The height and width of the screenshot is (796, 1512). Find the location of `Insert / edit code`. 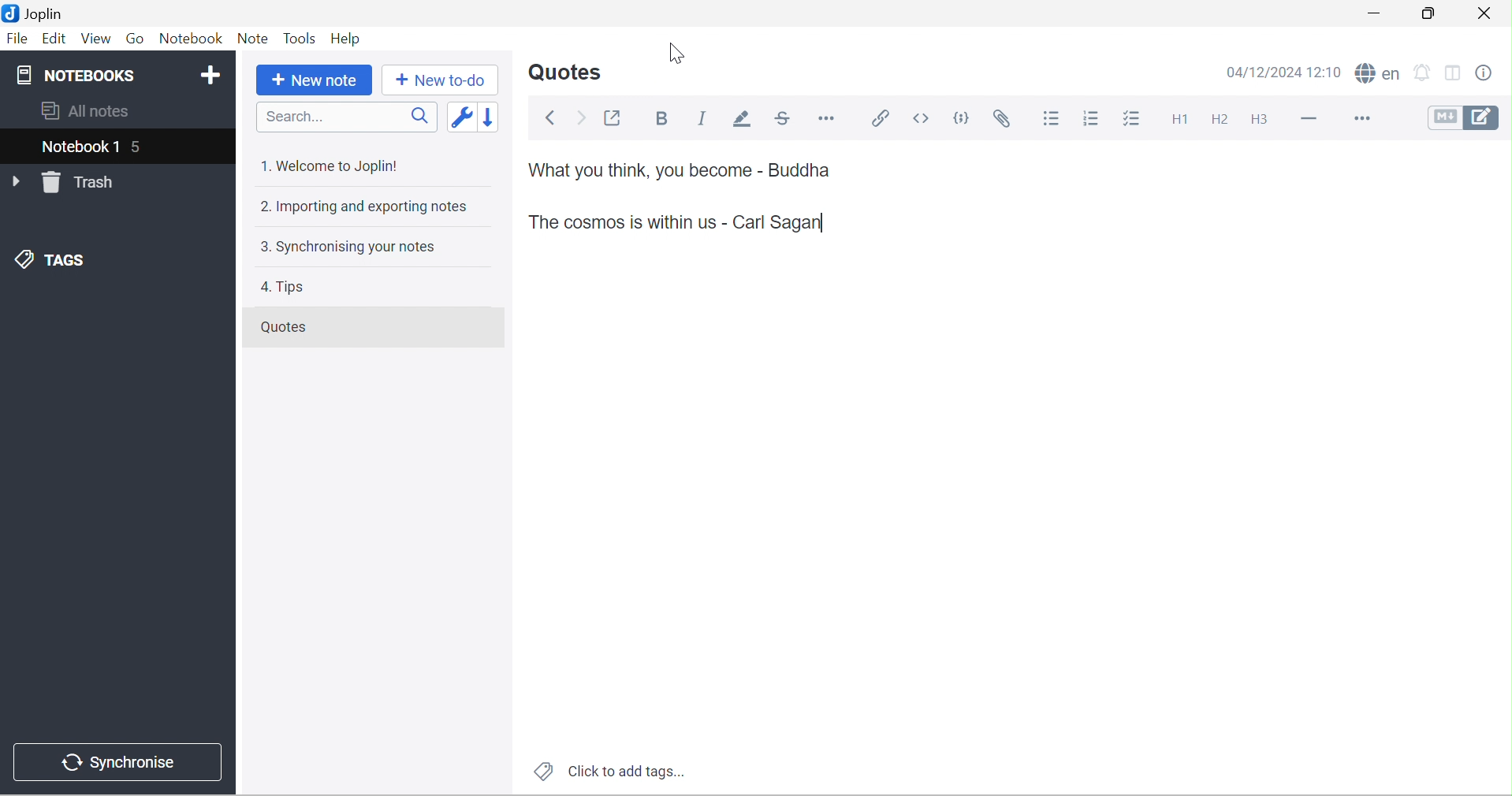

Insert / edit code is located at coordinates (882, 119).